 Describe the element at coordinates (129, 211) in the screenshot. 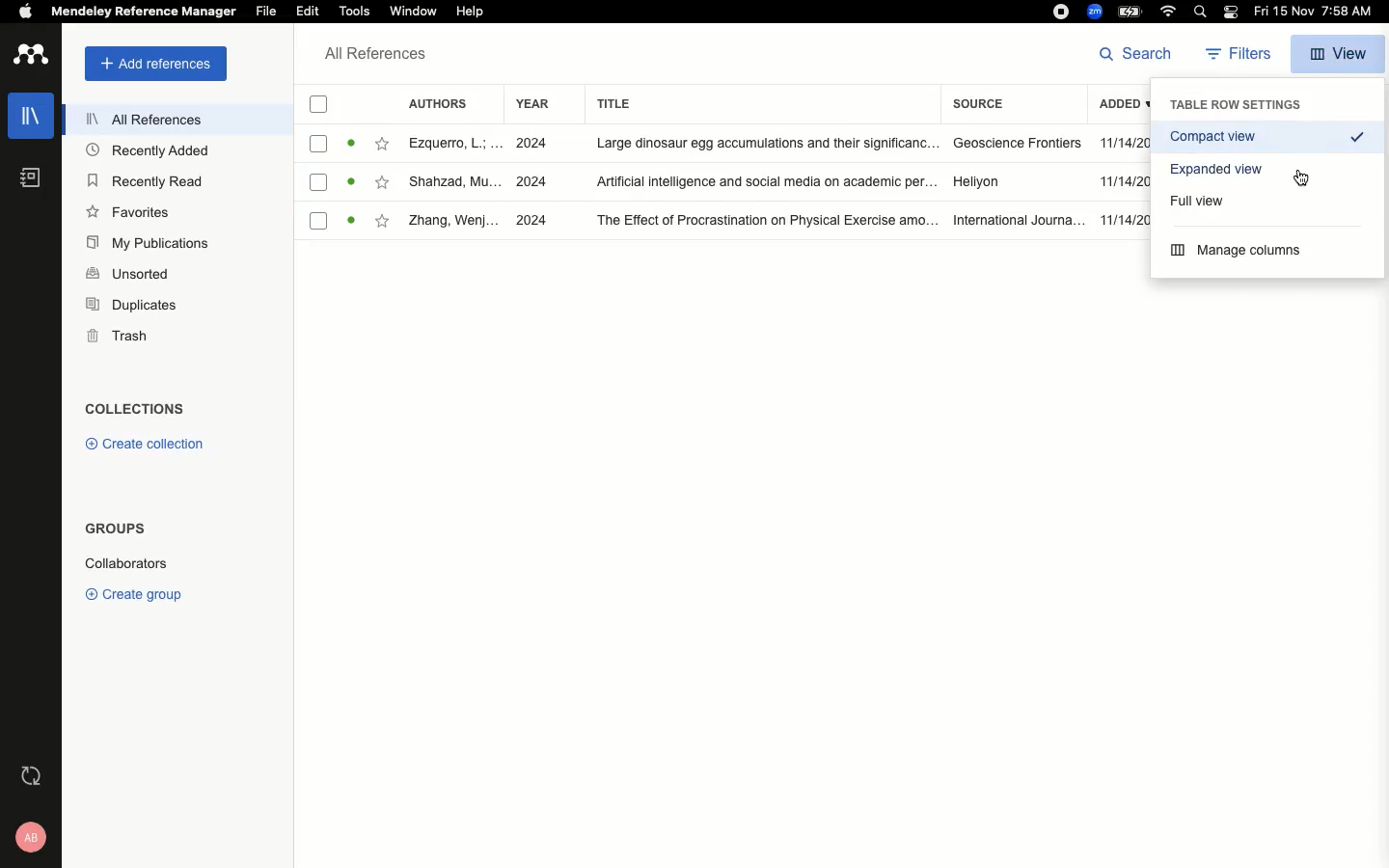

I see `Favorites` at that location.